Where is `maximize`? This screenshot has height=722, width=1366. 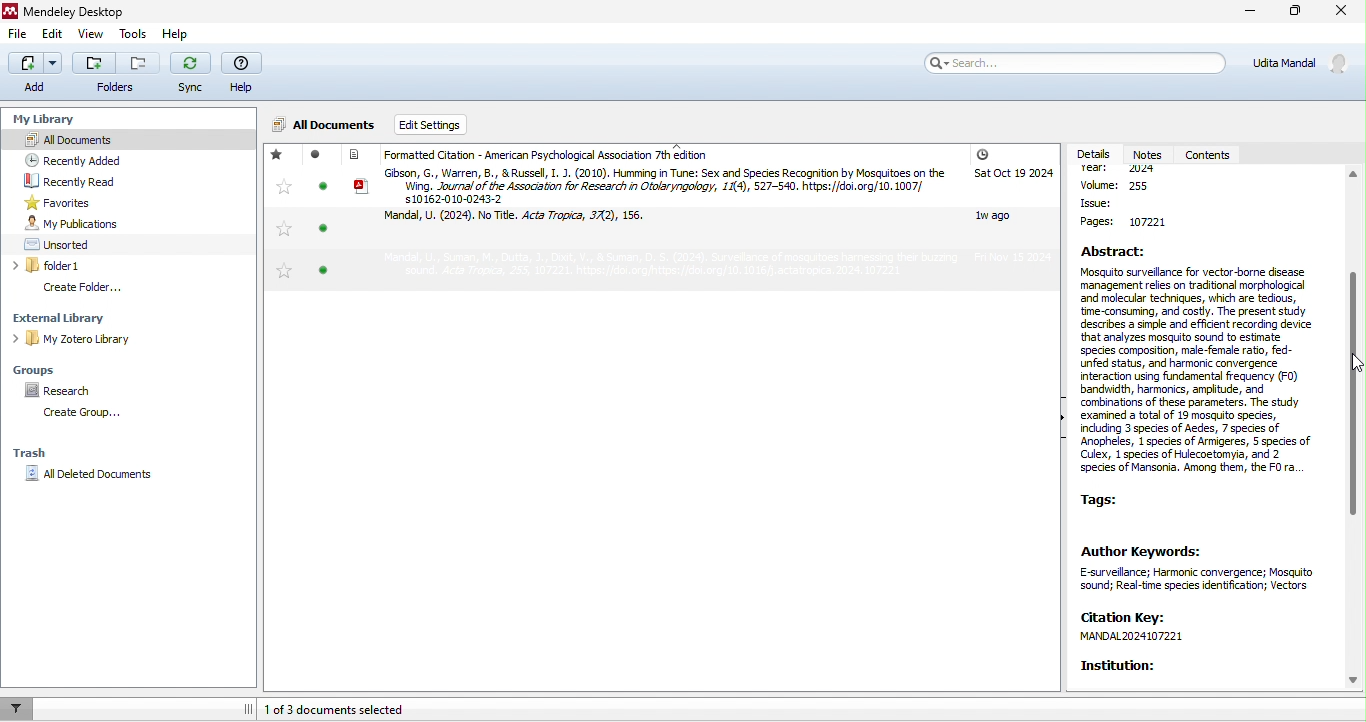
maximize is located at coordinates (1291, 14).